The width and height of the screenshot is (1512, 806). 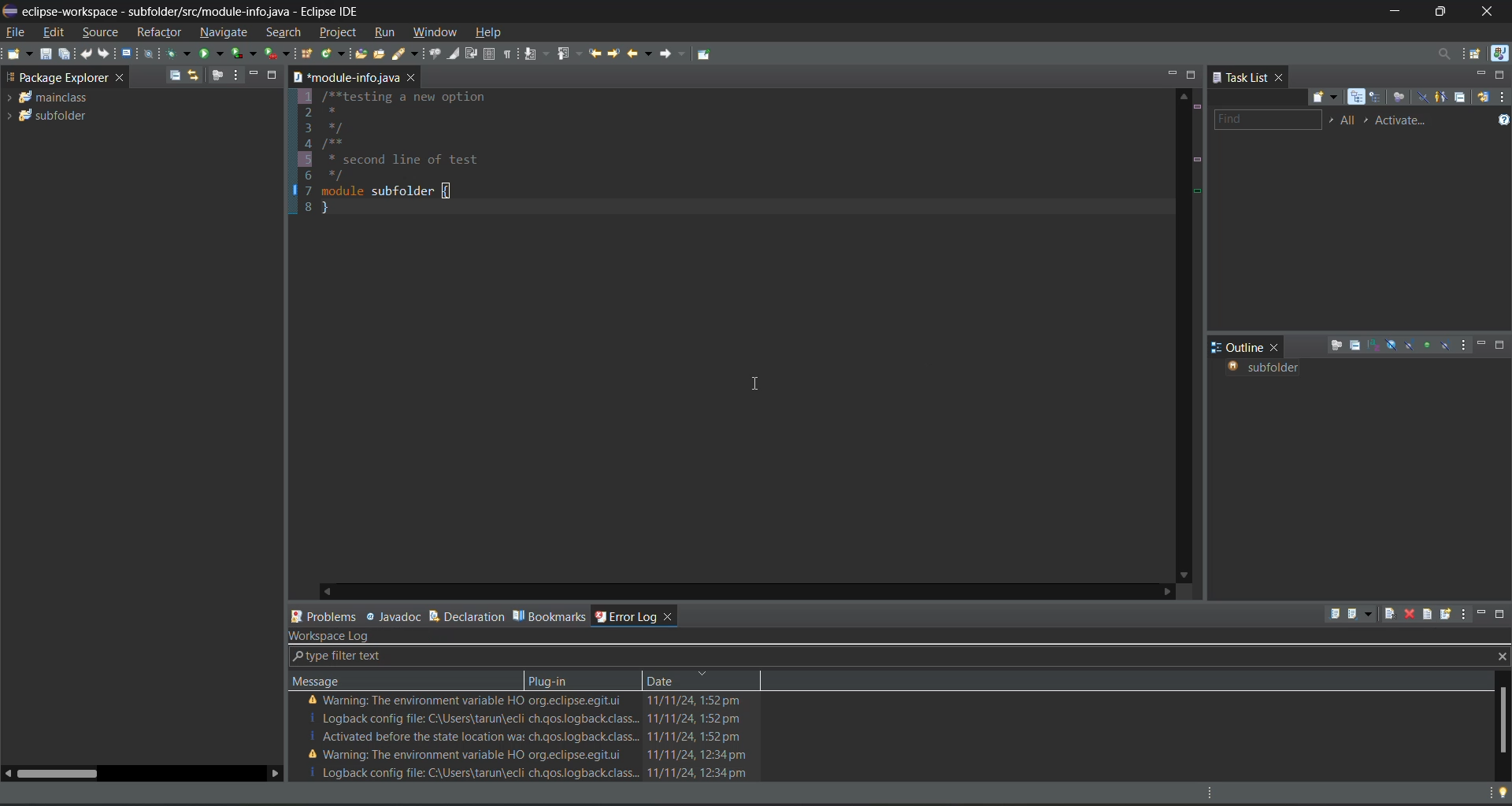 What do you see at coordinates (106, 54) in the screenshot?
I see `redo` at bounding box center [106, 54].